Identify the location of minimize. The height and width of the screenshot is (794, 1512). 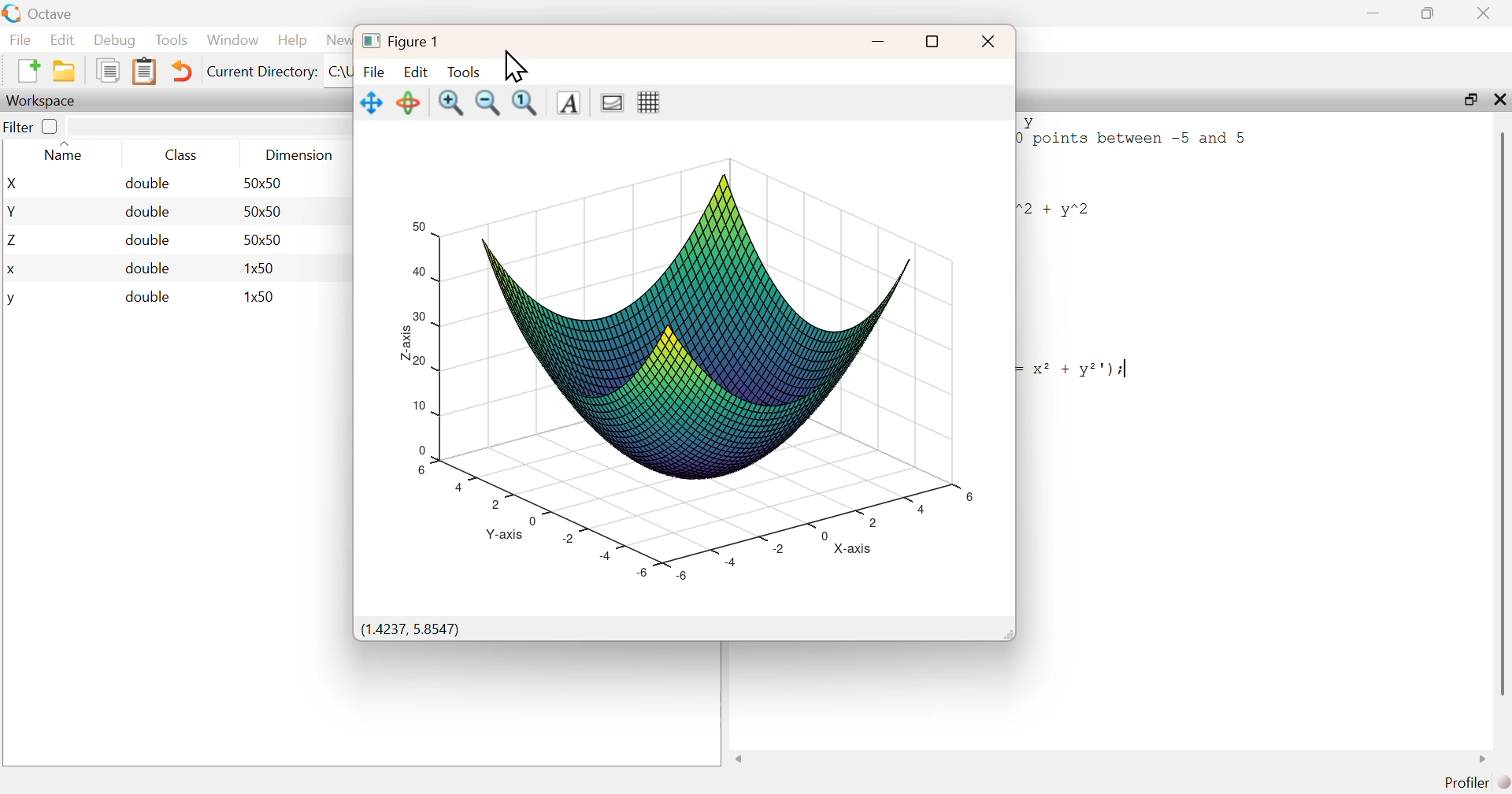
(878, 42).